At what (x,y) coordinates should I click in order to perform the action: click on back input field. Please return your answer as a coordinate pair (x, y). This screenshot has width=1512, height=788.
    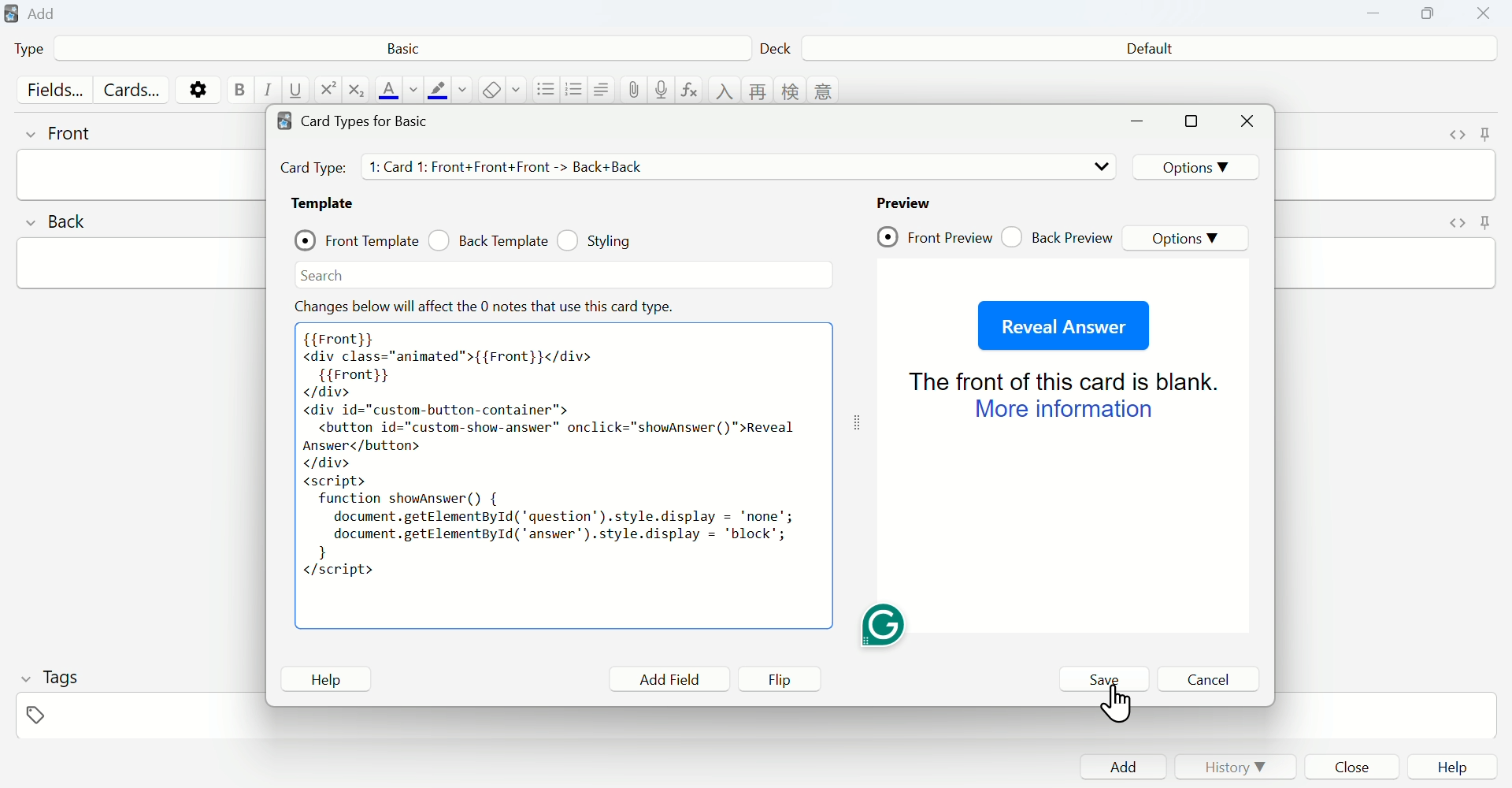
    Looking at the image, I should click on (141, 262).